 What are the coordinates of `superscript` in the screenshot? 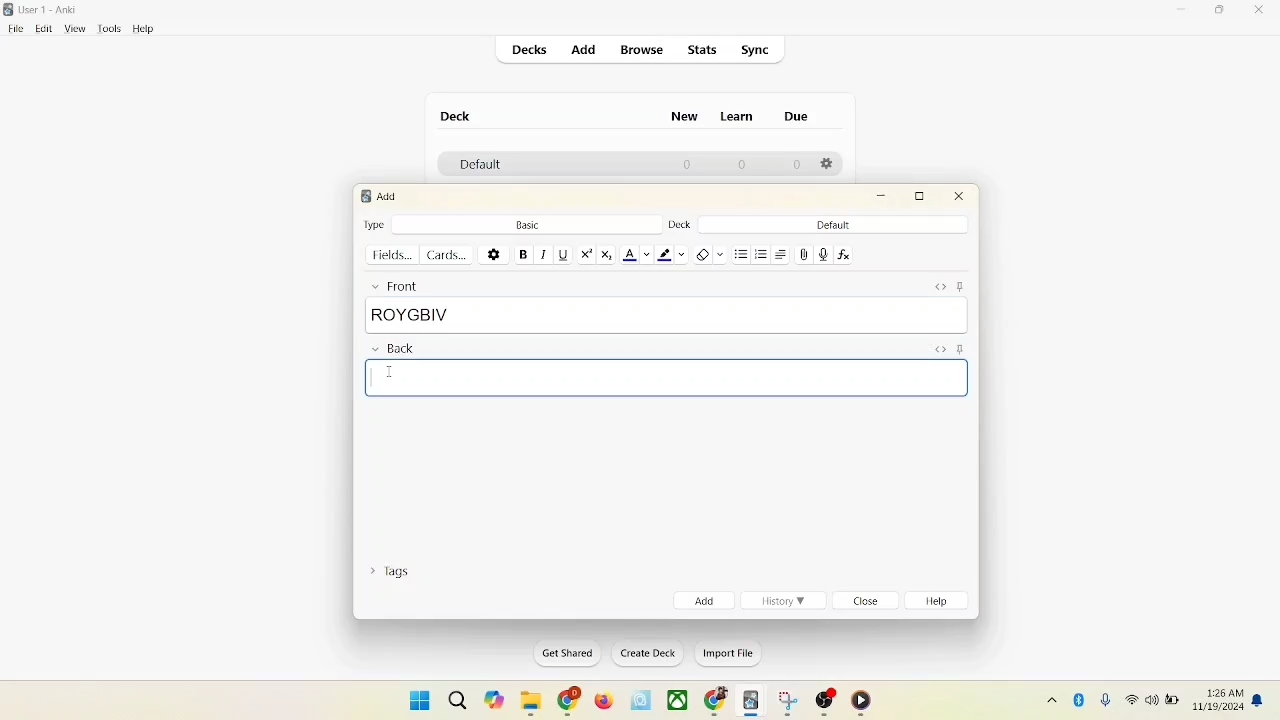 It's located at (586, 254).